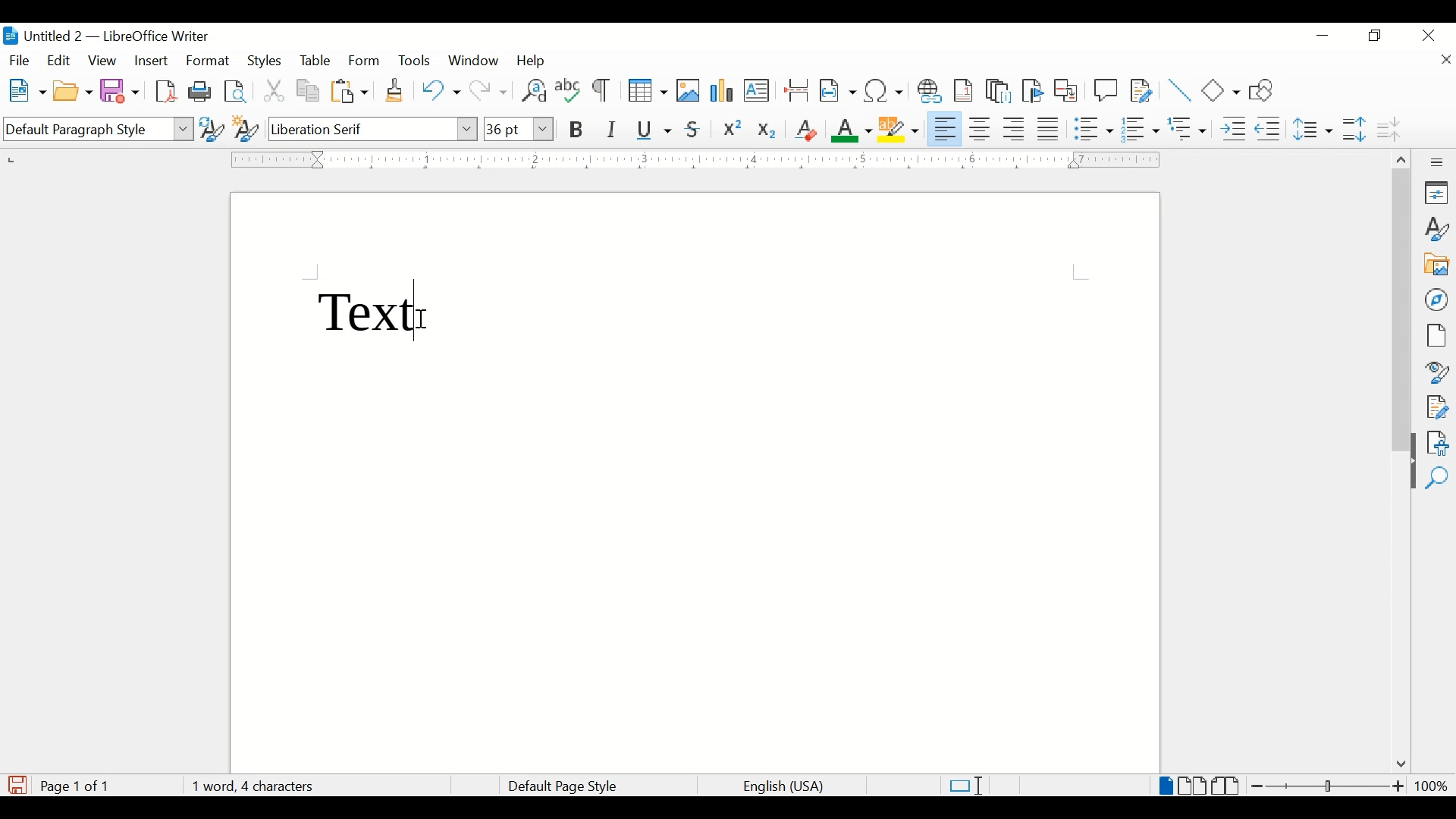 This screenshot has height=819, width=1456. I want to click on toggle unordered list, so click(1094, 128).